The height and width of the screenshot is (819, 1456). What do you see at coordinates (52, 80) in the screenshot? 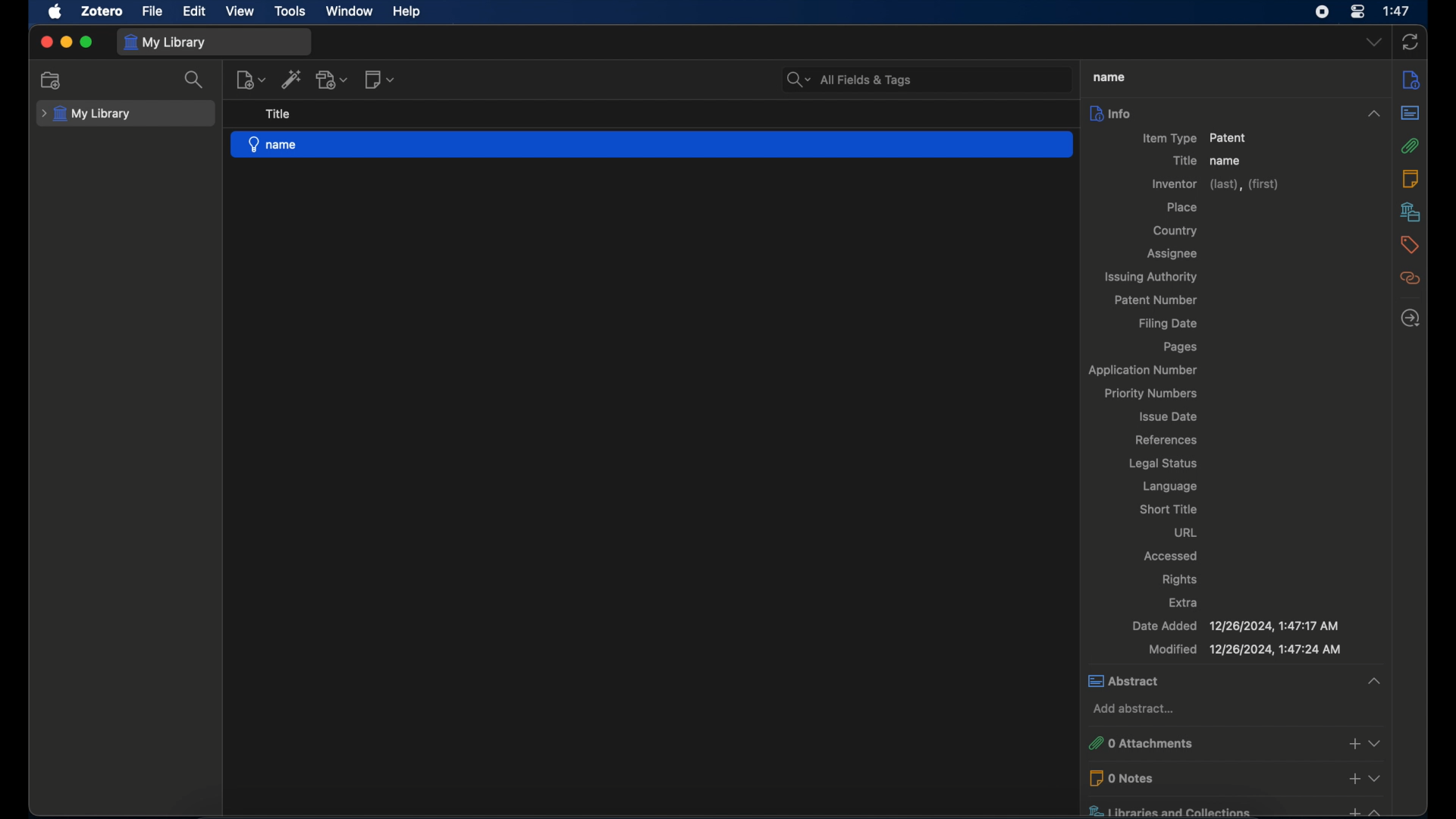
I see `new collection` at bounding box center [52, 80].